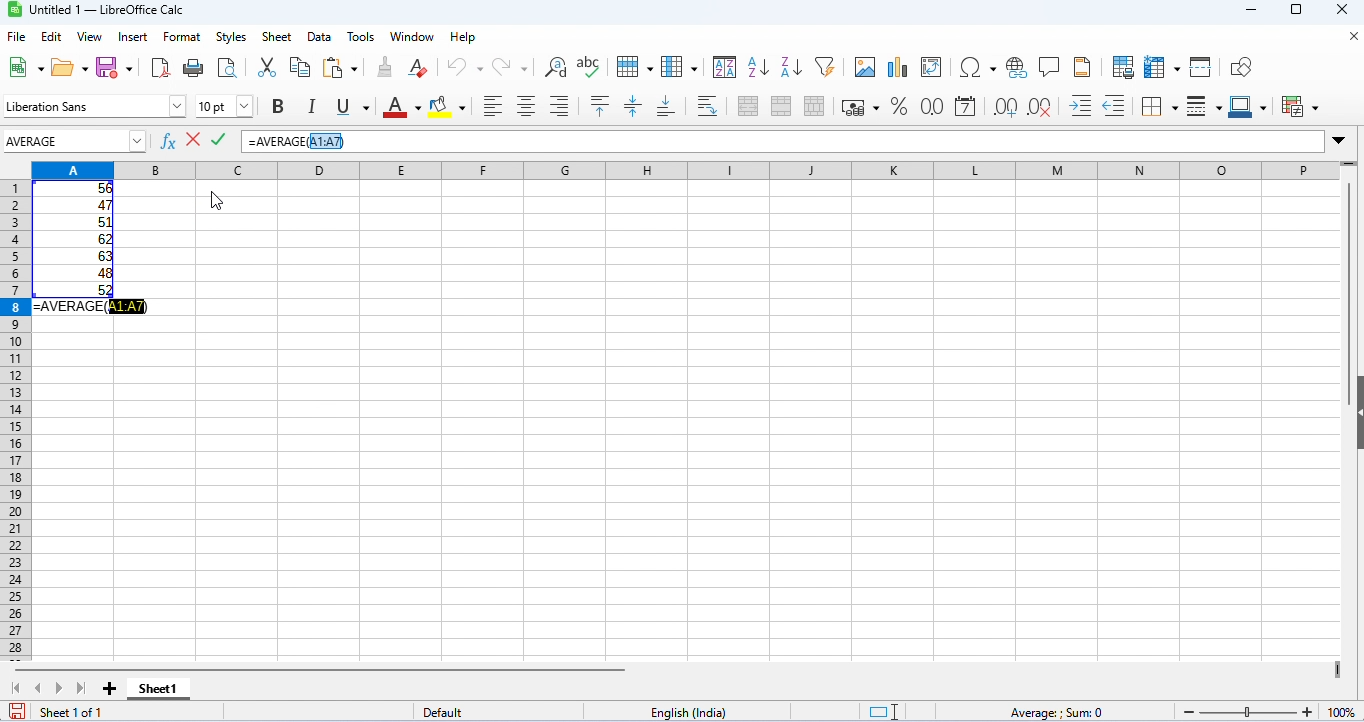 The image size is (1364, 722). What do you see at coordinates (415, 37) in the screenshot?
I see `window` at bounding box center [415, 37].